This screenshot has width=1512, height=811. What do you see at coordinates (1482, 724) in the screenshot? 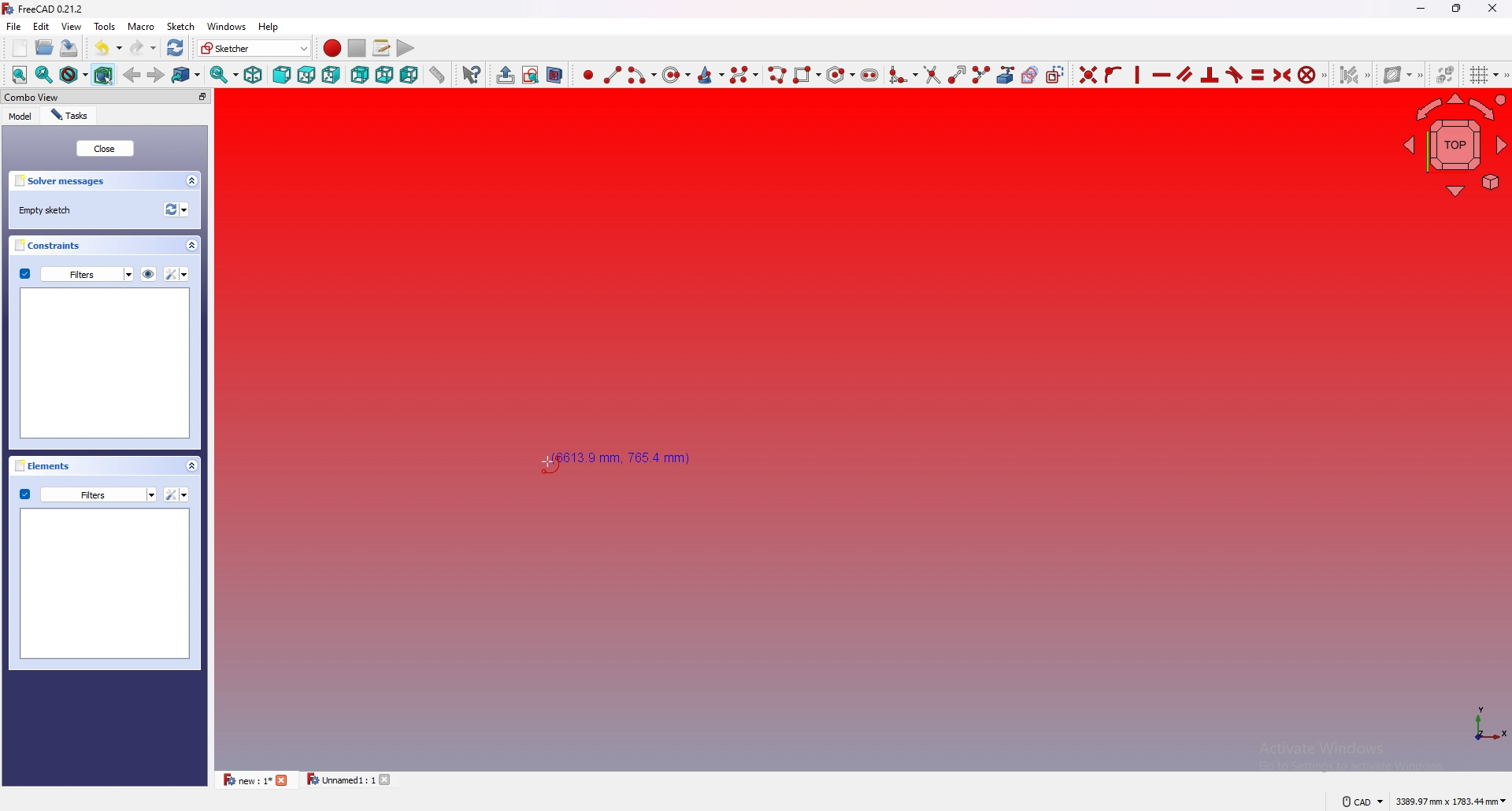
I see `axis` at bounding box center [1482, 724].